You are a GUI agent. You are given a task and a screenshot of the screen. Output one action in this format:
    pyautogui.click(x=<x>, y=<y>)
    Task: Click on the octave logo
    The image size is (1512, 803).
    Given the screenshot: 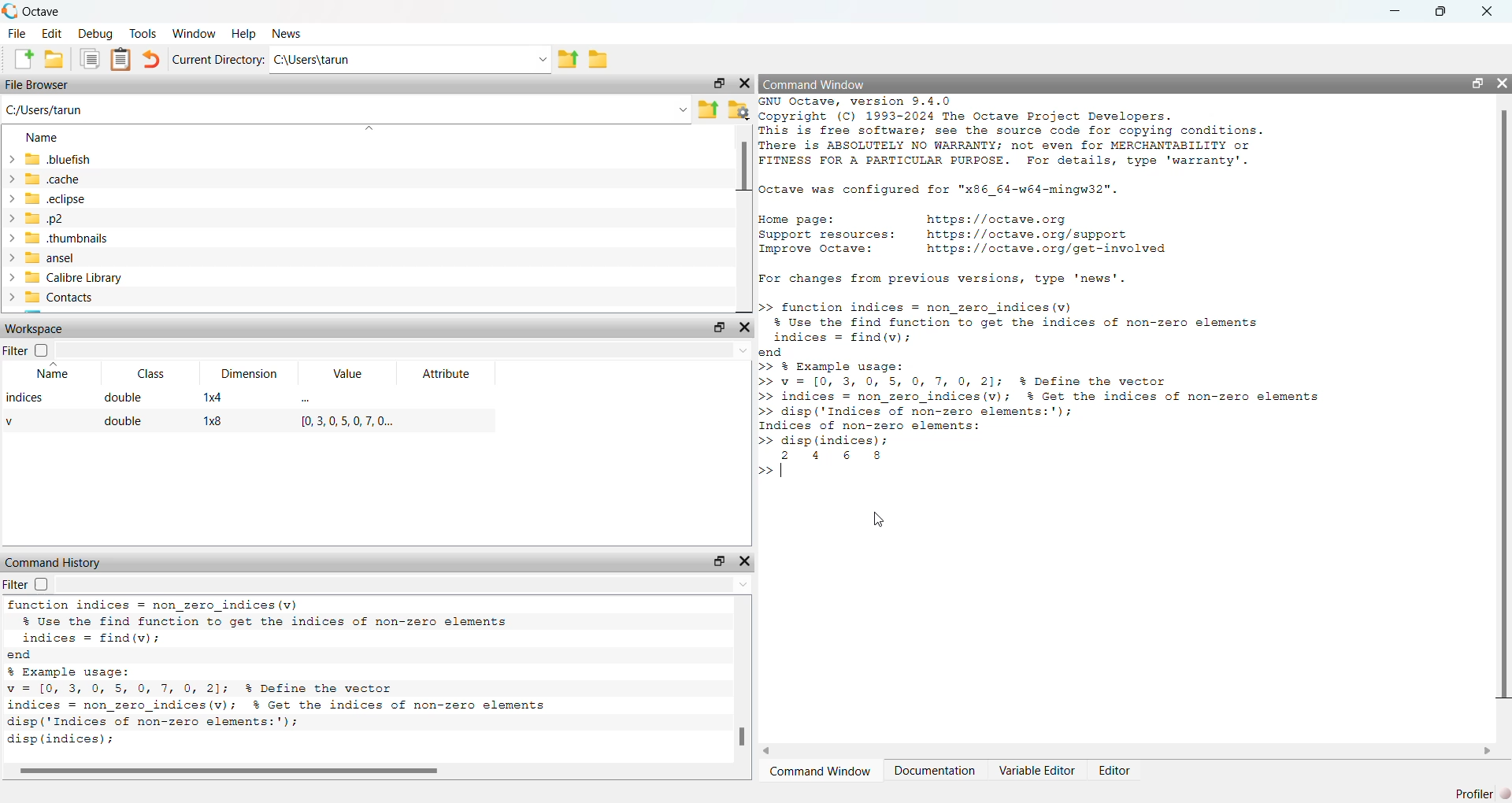 What is the action you would take?
    pyautogui.click(x=11, y=9)
    